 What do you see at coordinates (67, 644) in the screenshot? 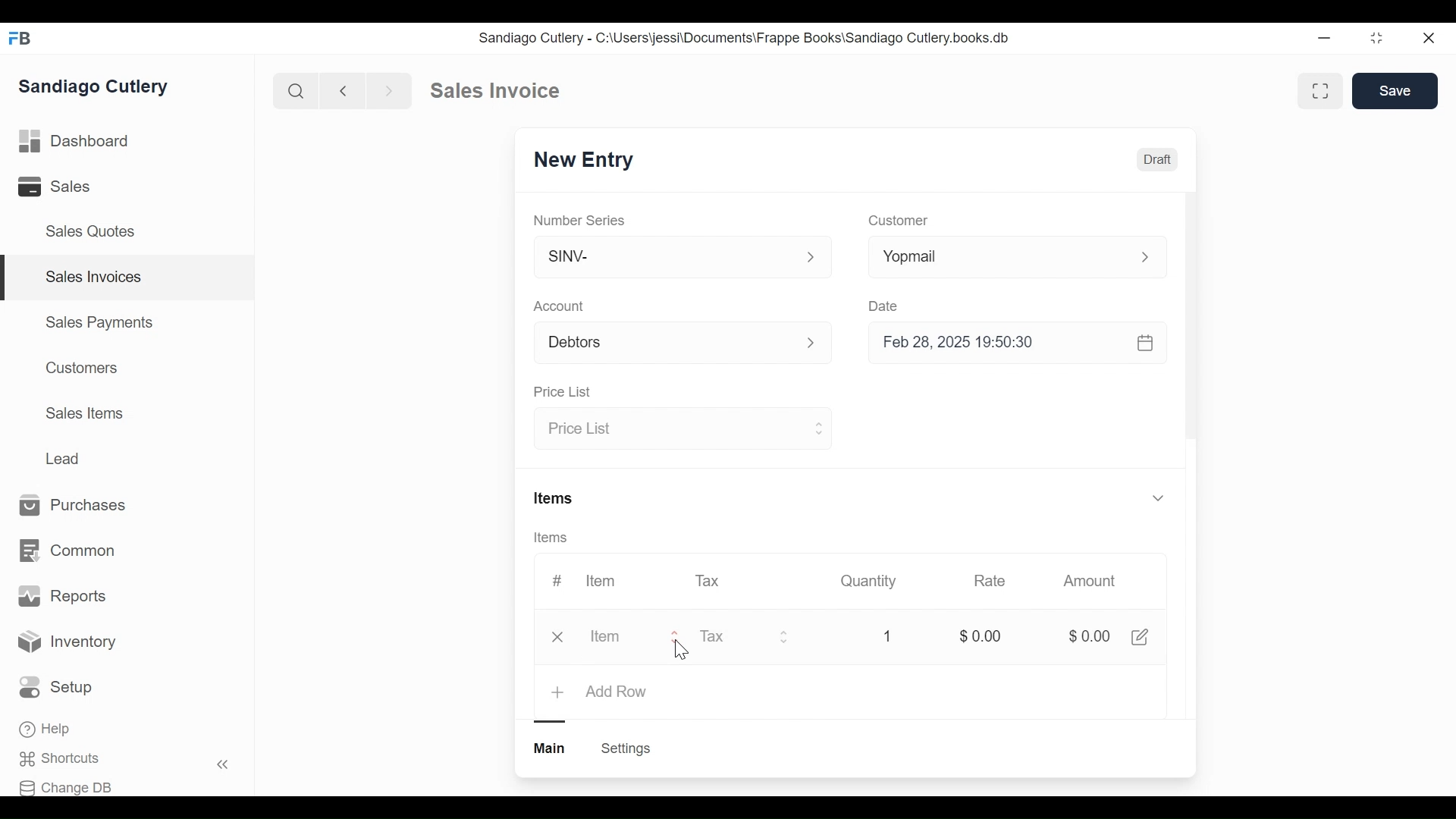
I see `Inventory` at bounding box center [67, 644].